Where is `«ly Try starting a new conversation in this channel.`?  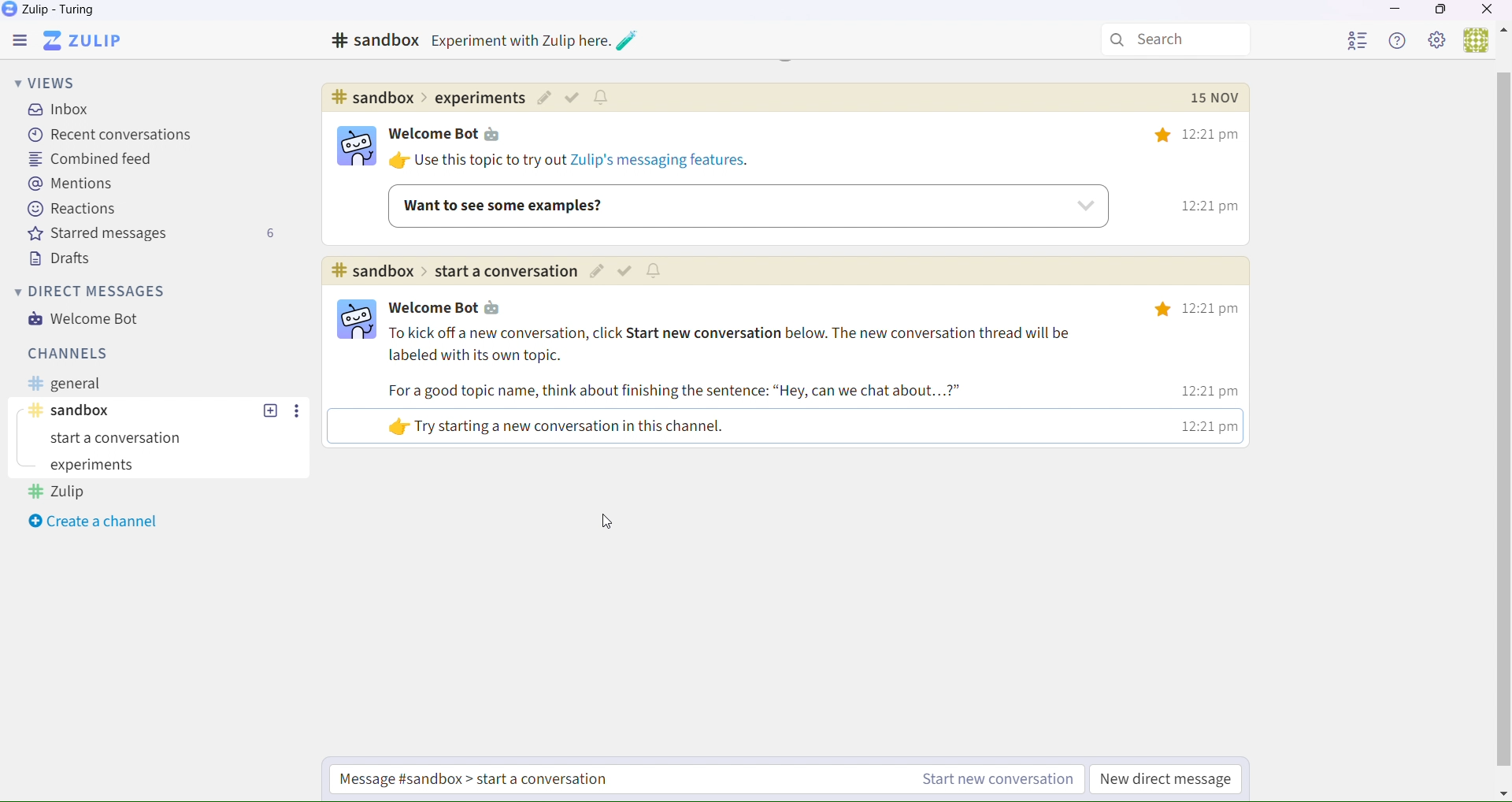 «ly Try starting a new conversation in this channel. is located at coordinates (594, 427).